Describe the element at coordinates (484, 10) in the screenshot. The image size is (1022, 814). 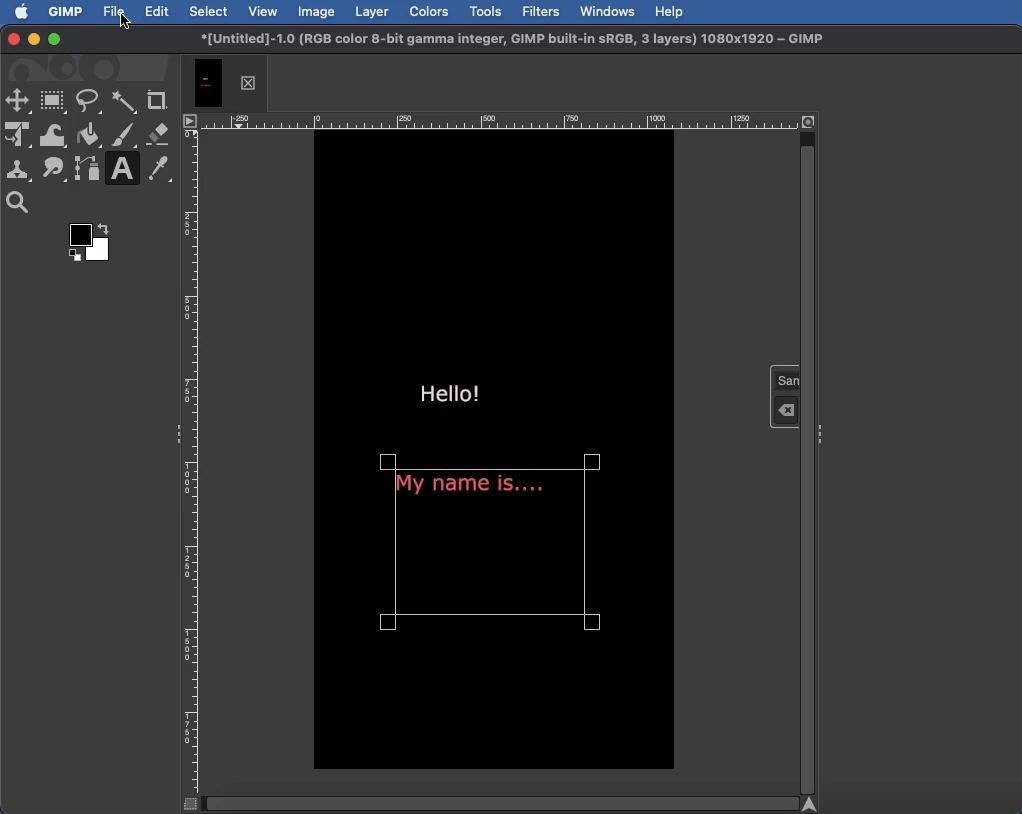
I see `Tools` at that location.